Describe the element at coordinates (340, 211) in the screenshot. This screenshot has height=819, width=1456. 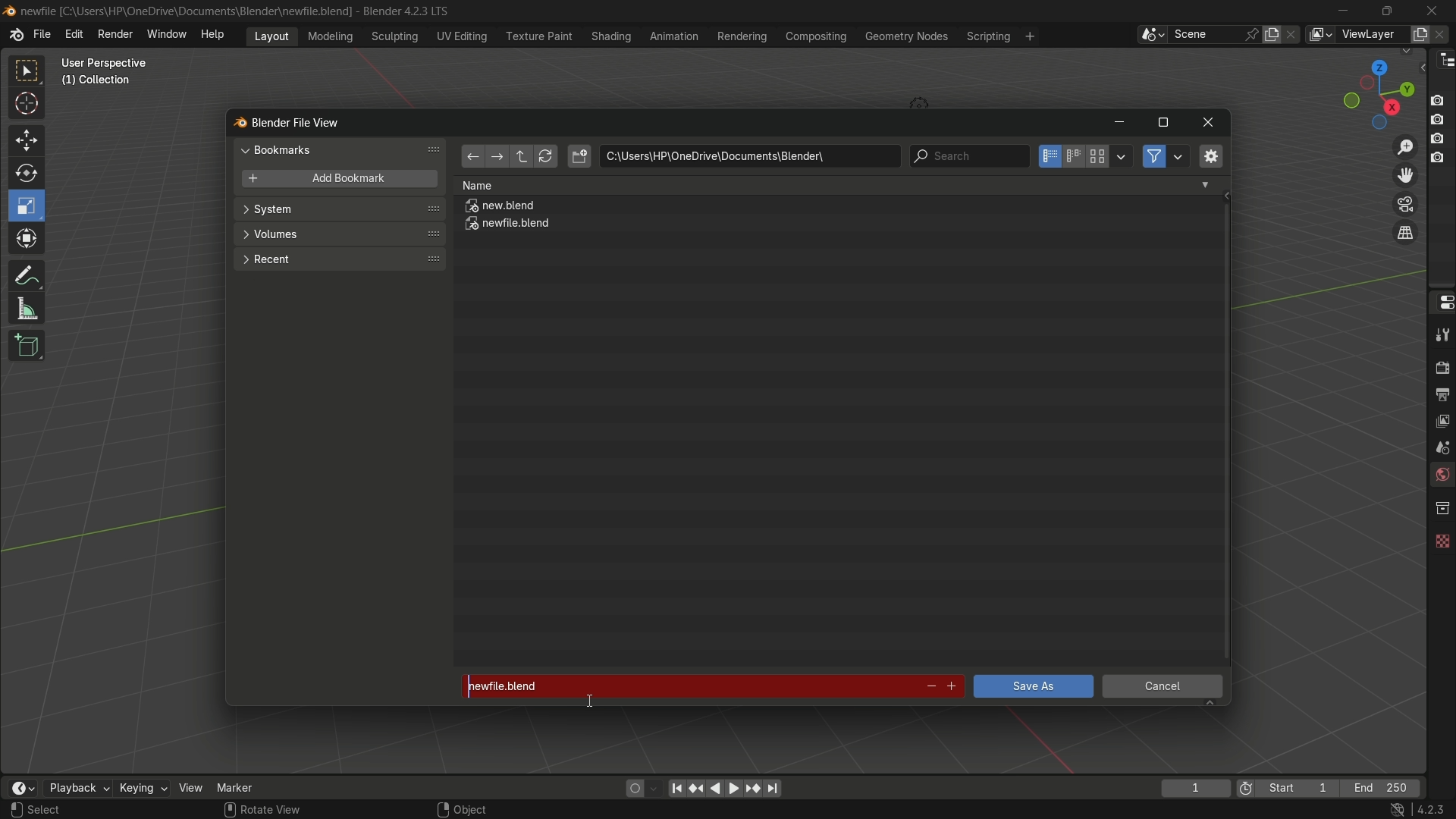
I see `system` at that location.